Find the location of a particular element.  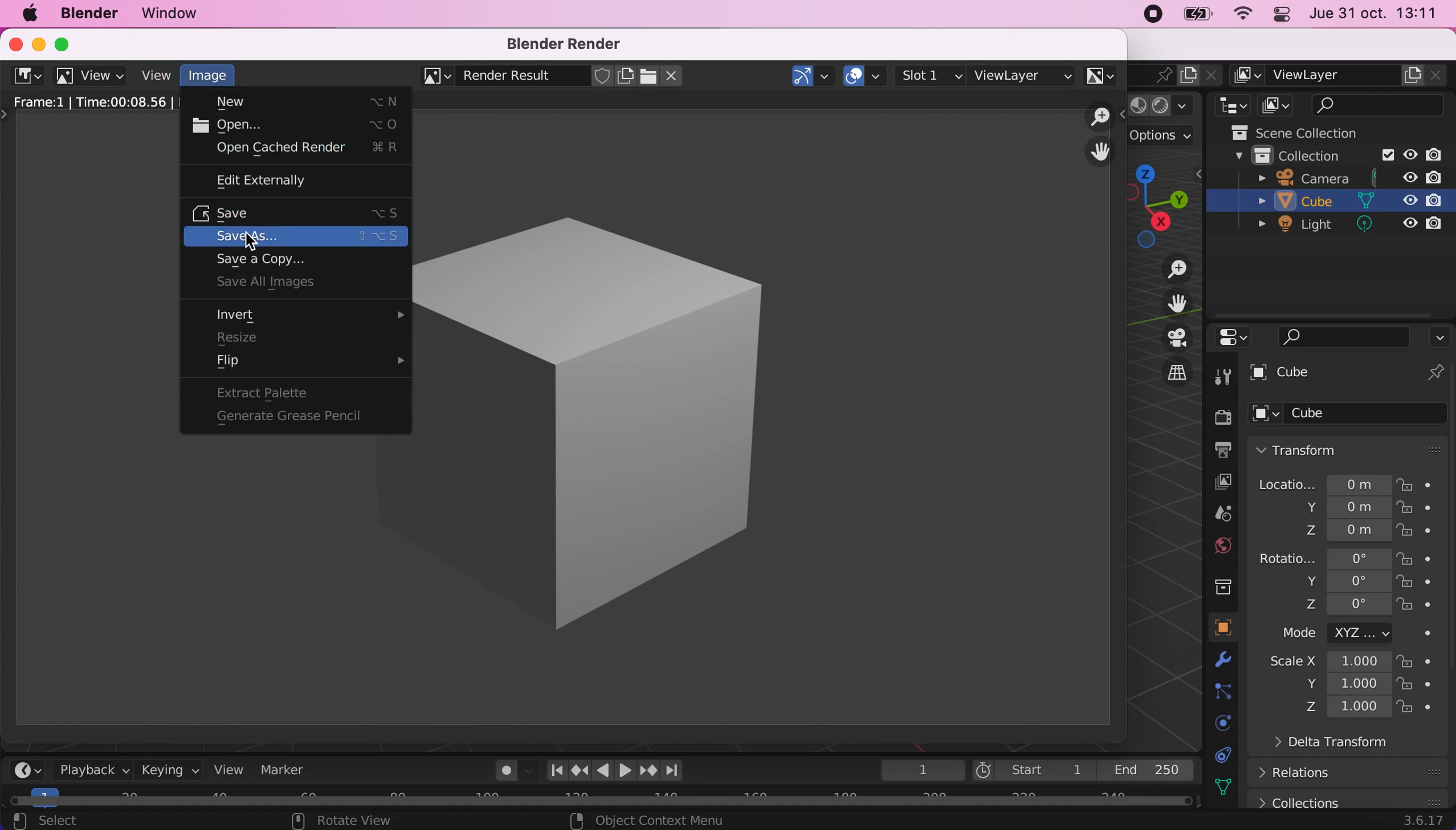

constraints is located at coordinates (1225, 693).